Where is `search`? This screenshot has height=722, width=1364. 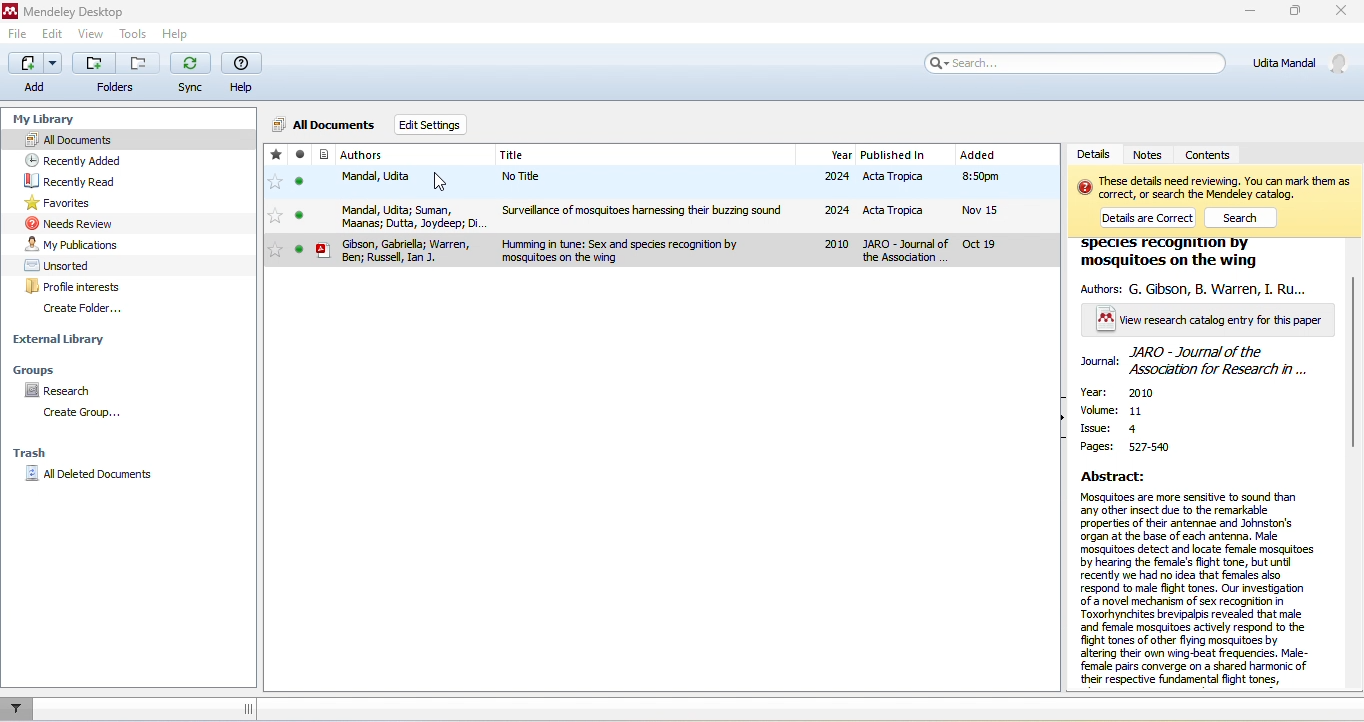 search is located at coordinates (1242, 217).